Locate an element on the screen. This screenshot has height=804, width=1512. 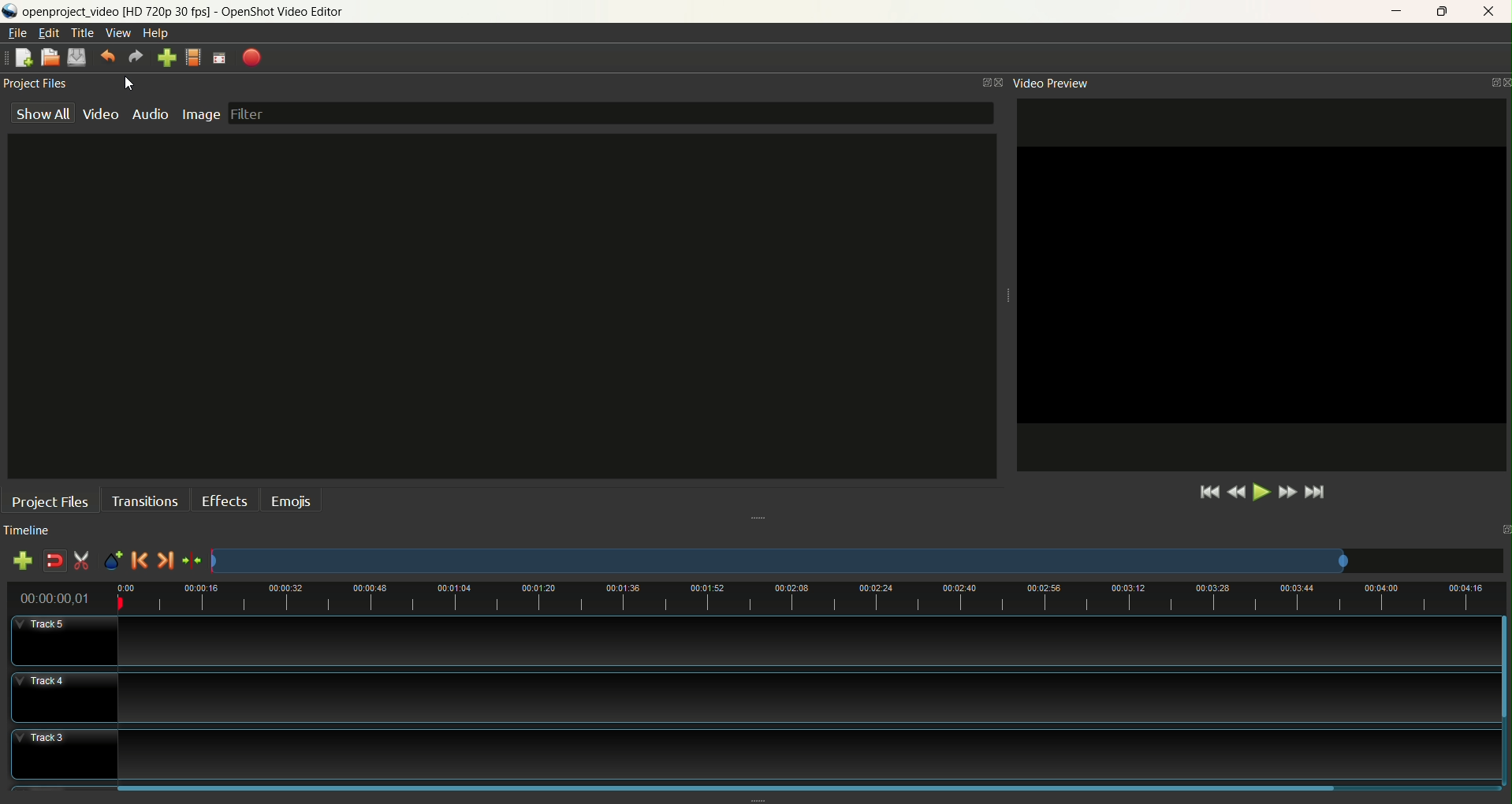
choose profile is located at coordinates (193, 57).